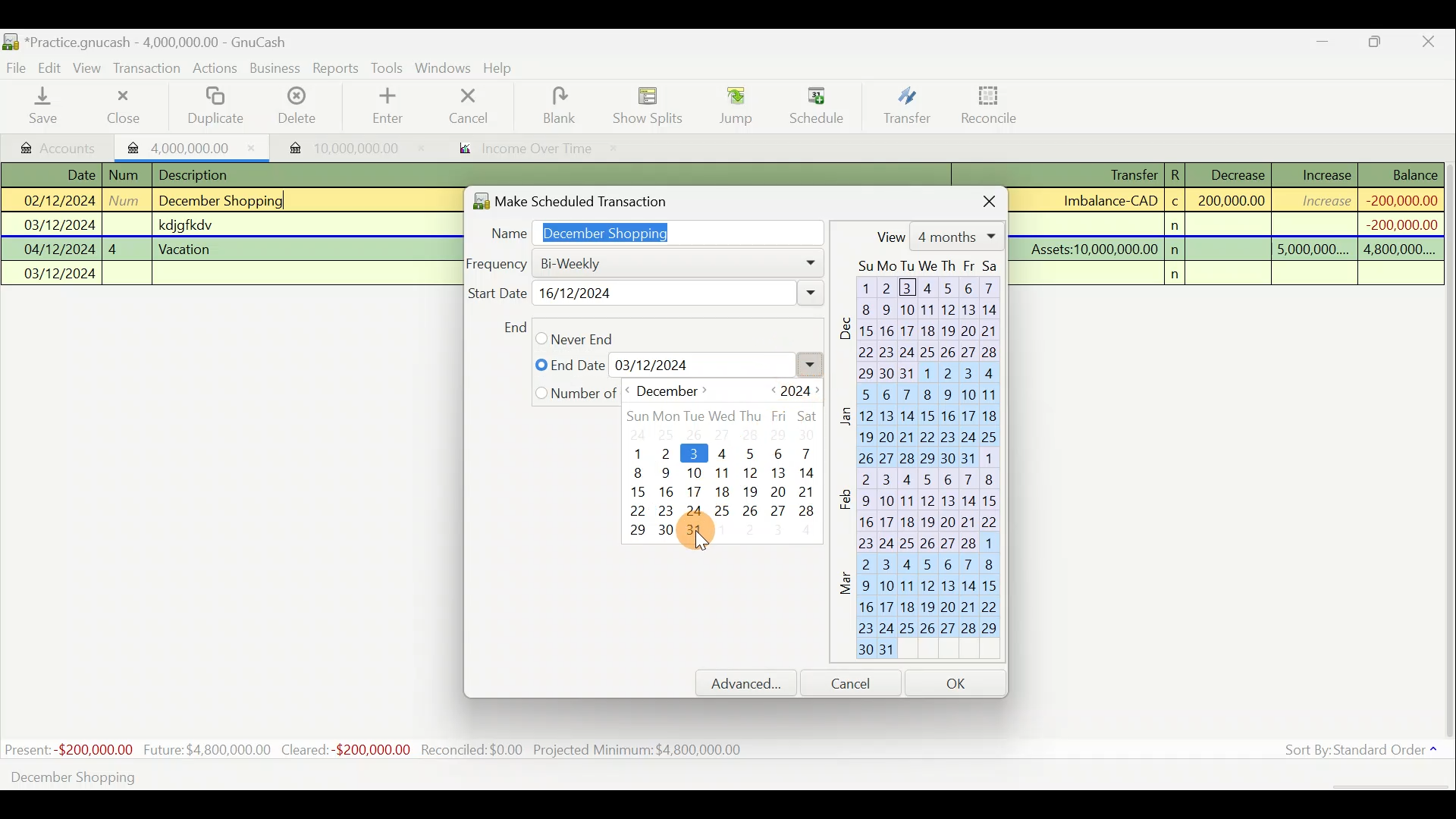 The image size is (1456, 819). I want to click on Transaction details, so click(1235, 224).